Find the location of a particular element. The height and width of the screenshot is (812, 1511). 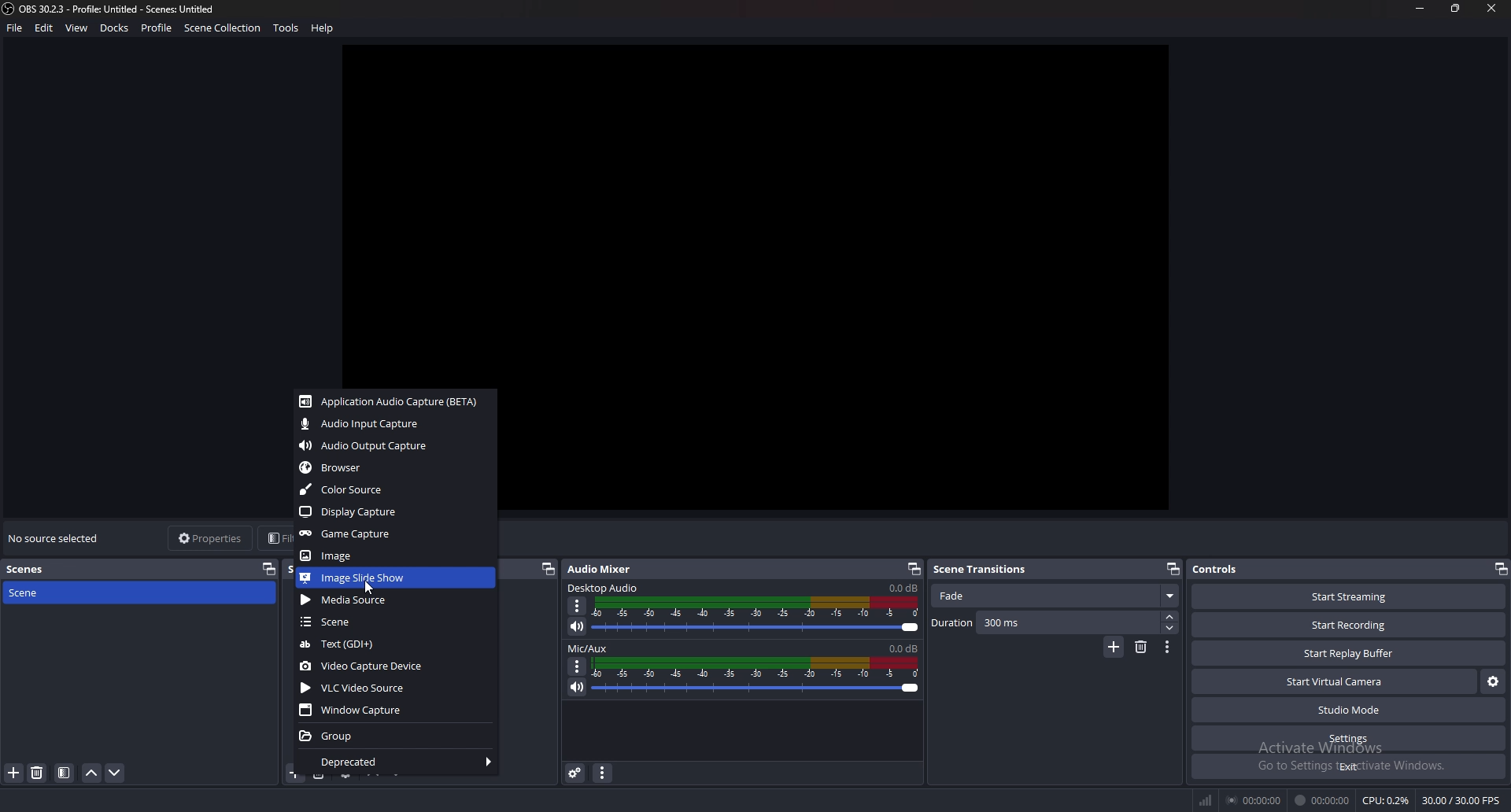

scenes is located at coordinates (27, 570).